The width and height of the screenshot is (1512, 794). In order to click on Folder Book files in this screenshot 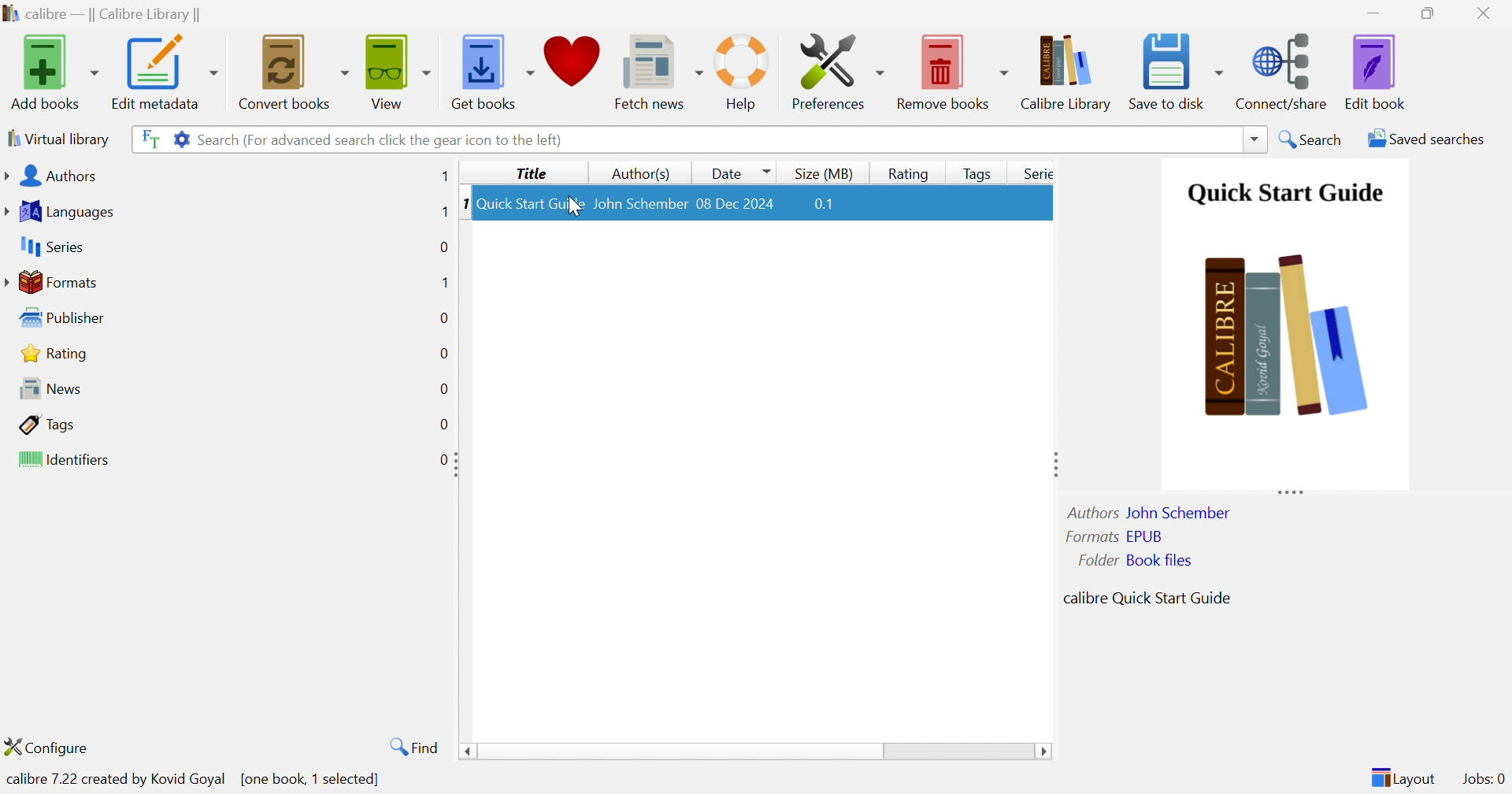, I will do `click(1130, 560)`.